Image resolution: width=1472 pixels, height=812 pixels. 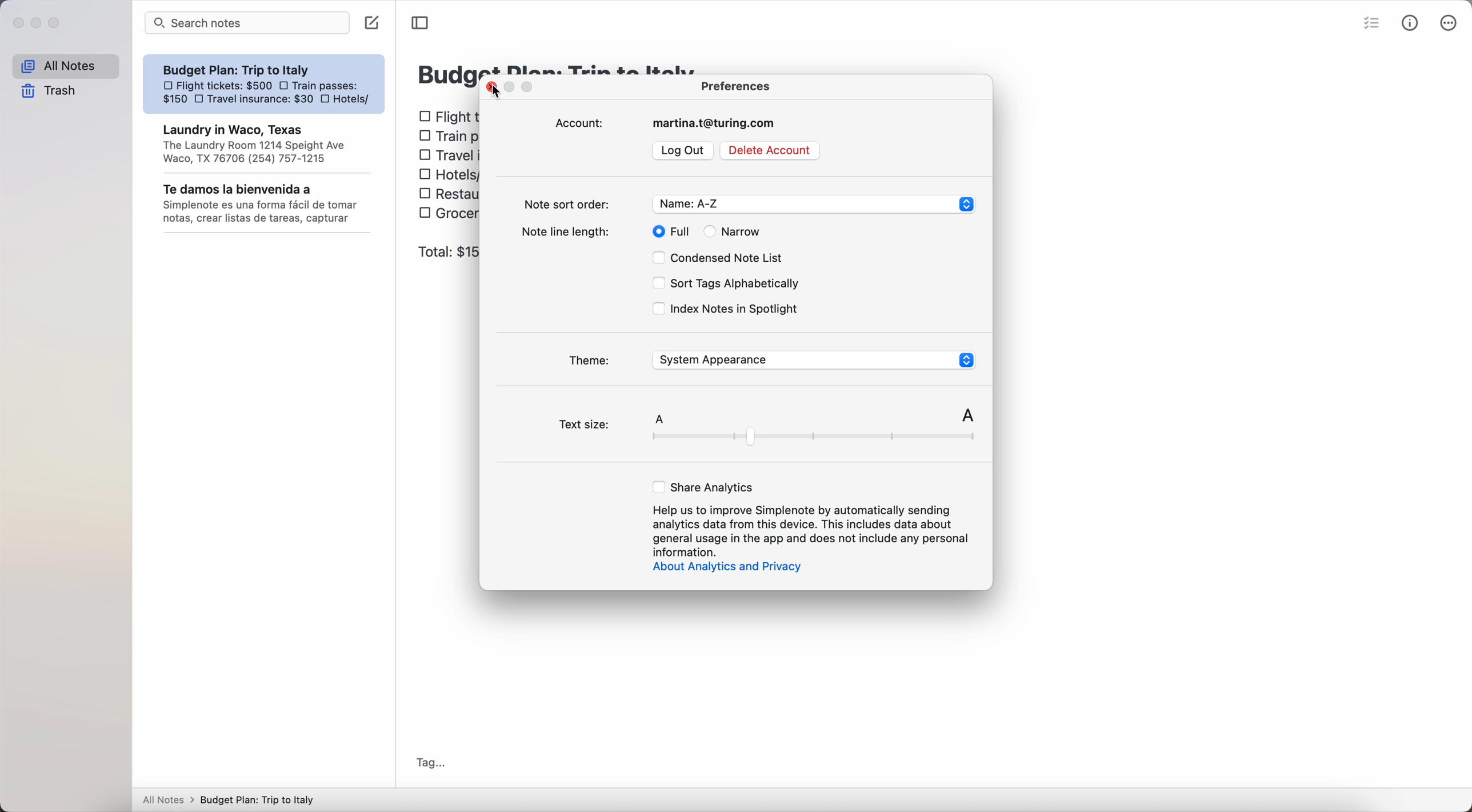 I want to click on theme: System Appearance, so click(x=771, y=359).